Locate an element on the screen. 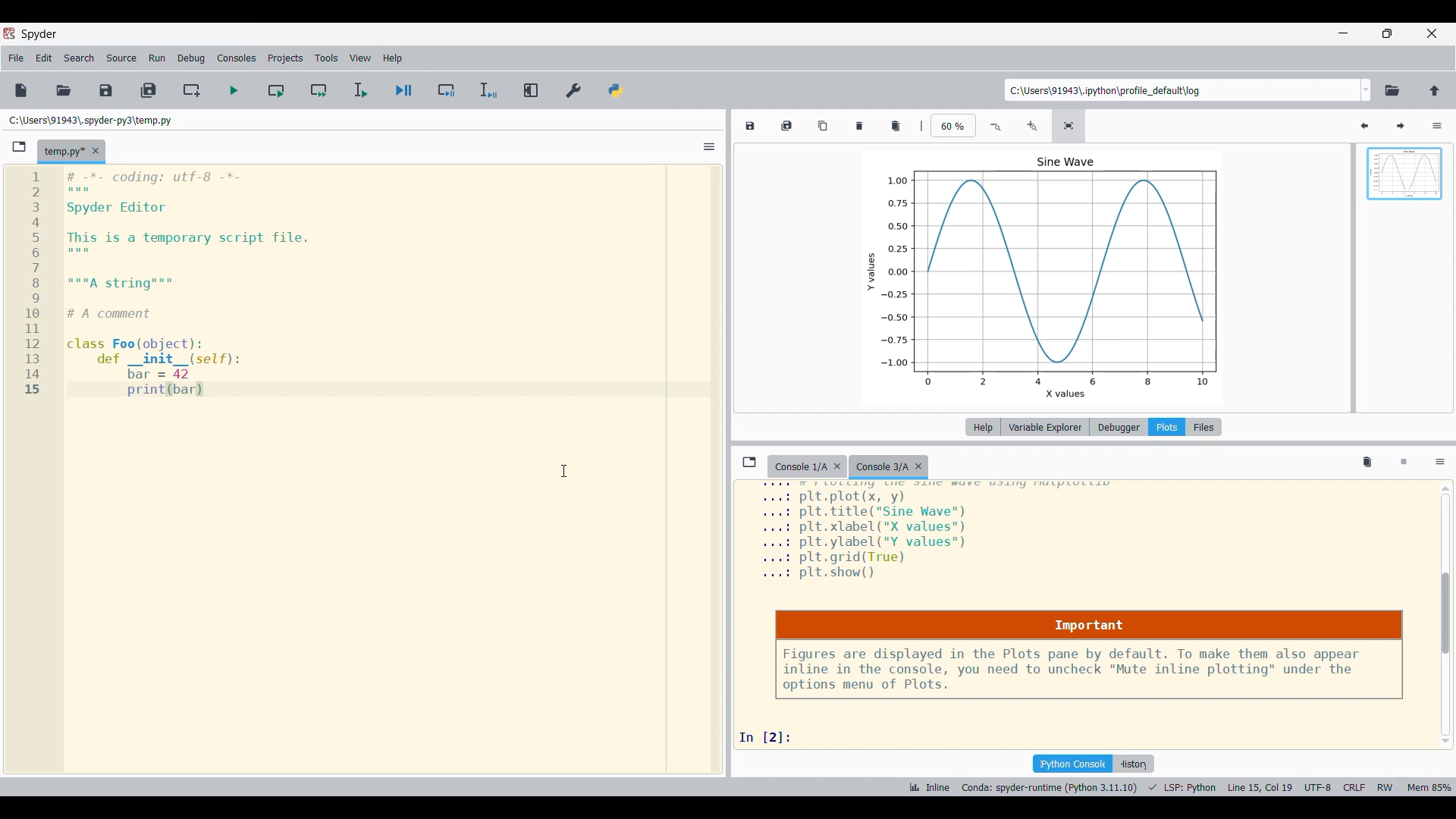  Zoom in is located at coordinates (1031, 127).